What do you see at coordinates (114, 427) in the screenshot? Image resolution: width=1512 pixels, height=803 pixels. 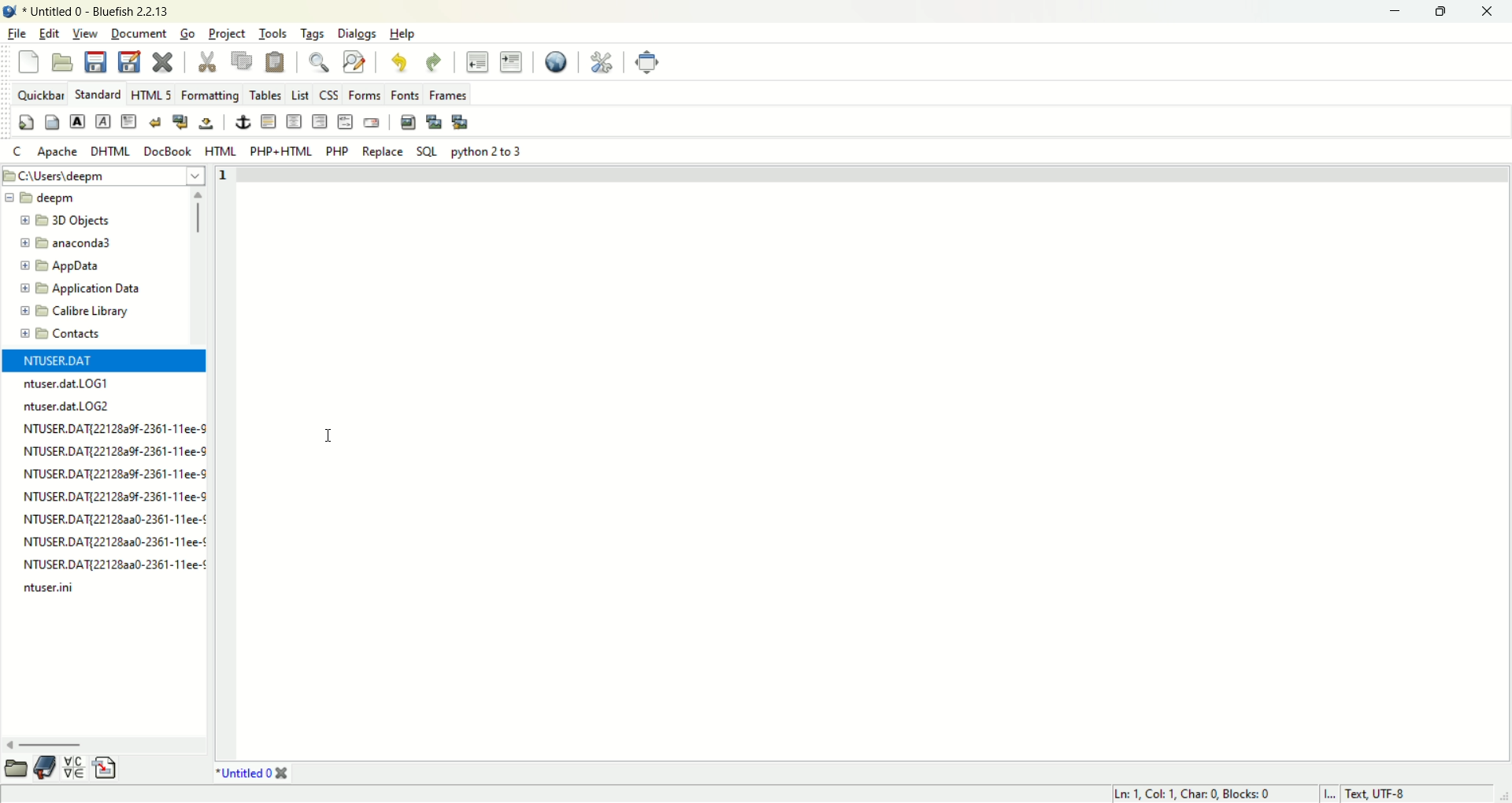 I see `NTUSER.DATI22128a9f-2361-11ee-9` at bounding box center [114, 427].